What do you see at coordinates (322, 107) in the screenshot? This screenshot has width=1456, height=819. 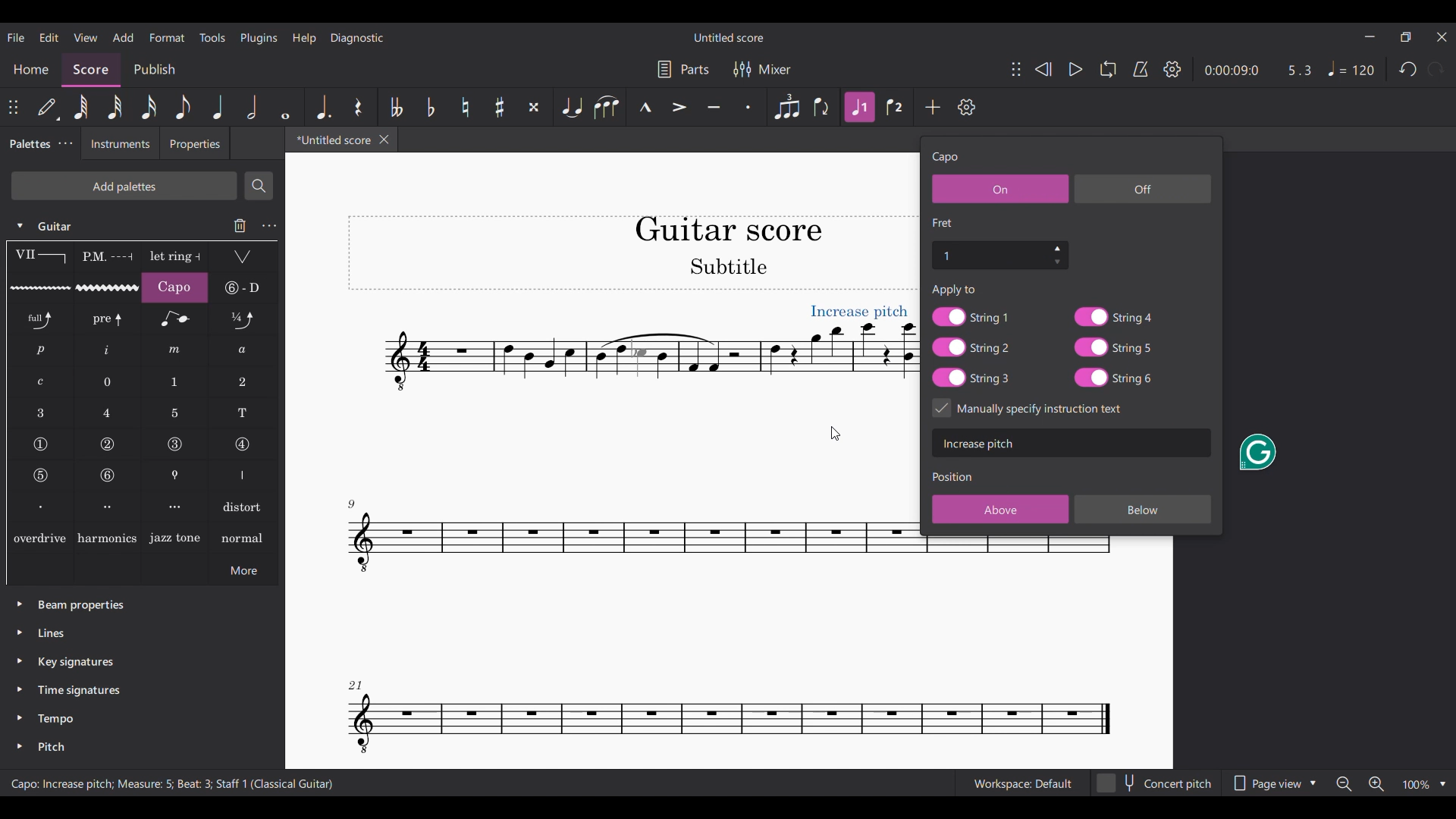 I see `Augmentation dot` at bounding box center [322, 107].